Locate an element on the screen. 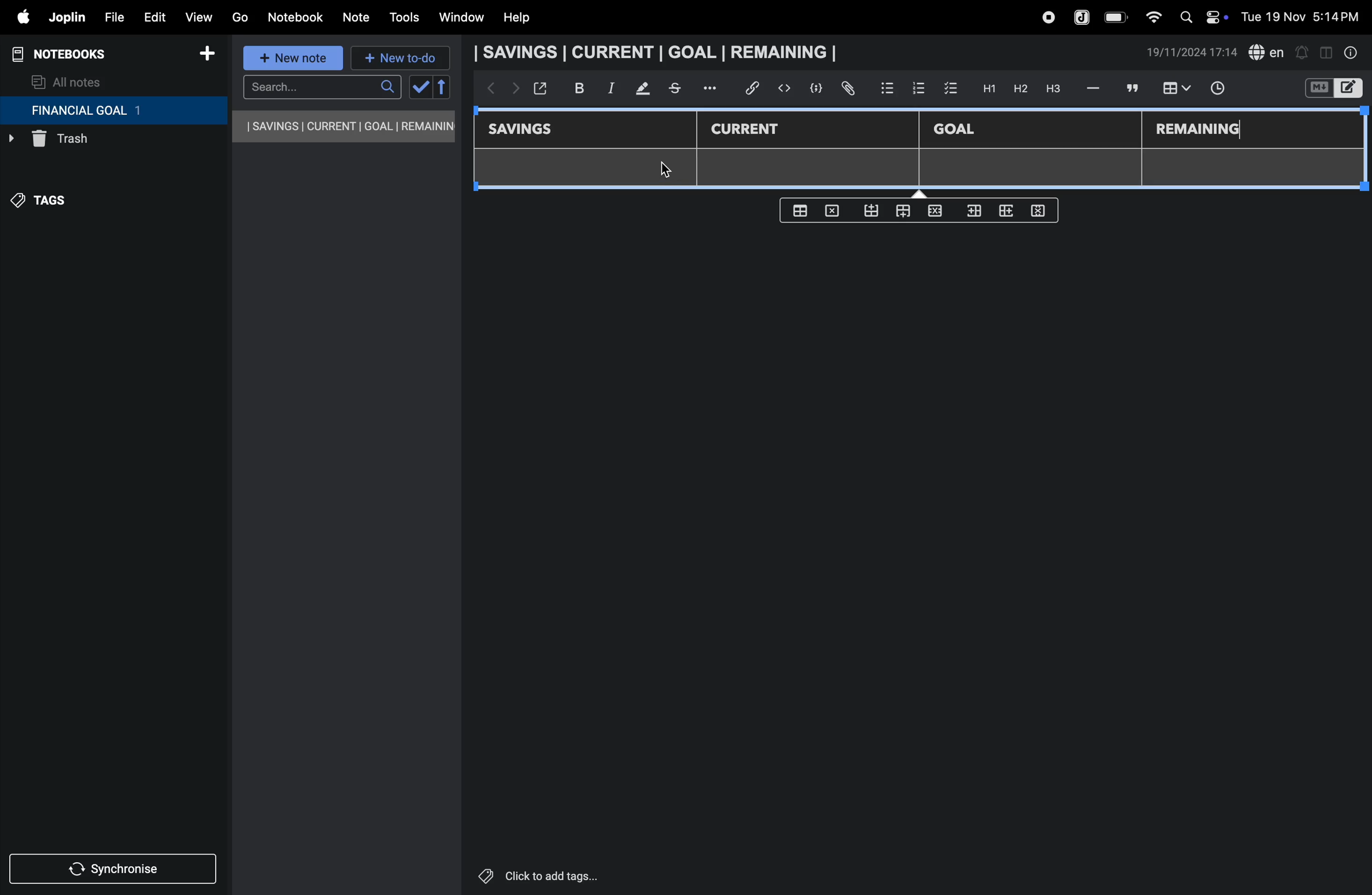 Image resolution: width=1372 pixels, height=895 pixels. inser rows is located at coordinates (972, 213).